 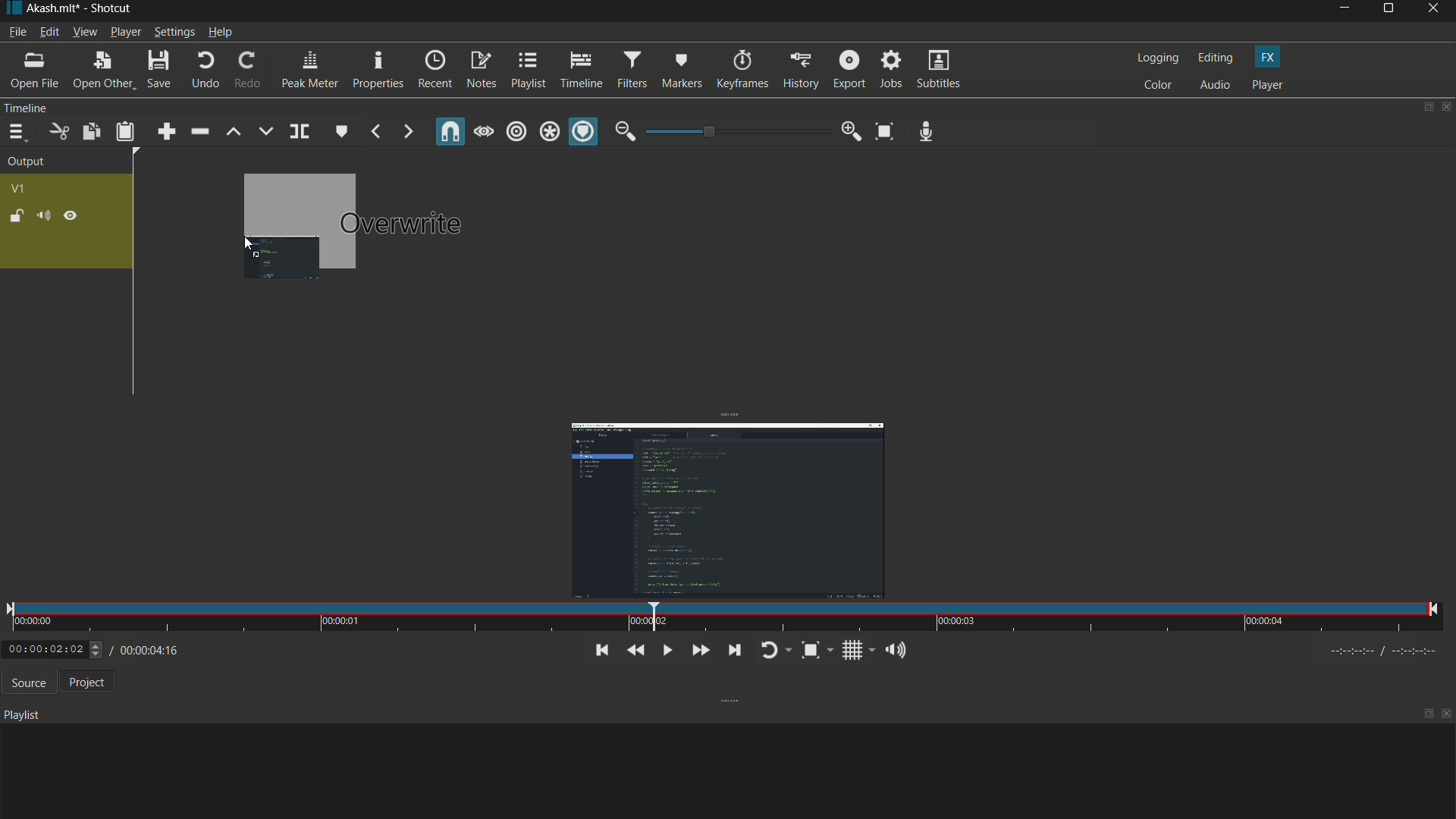 I want to click on toggle grid, so click(x=857, y=650).